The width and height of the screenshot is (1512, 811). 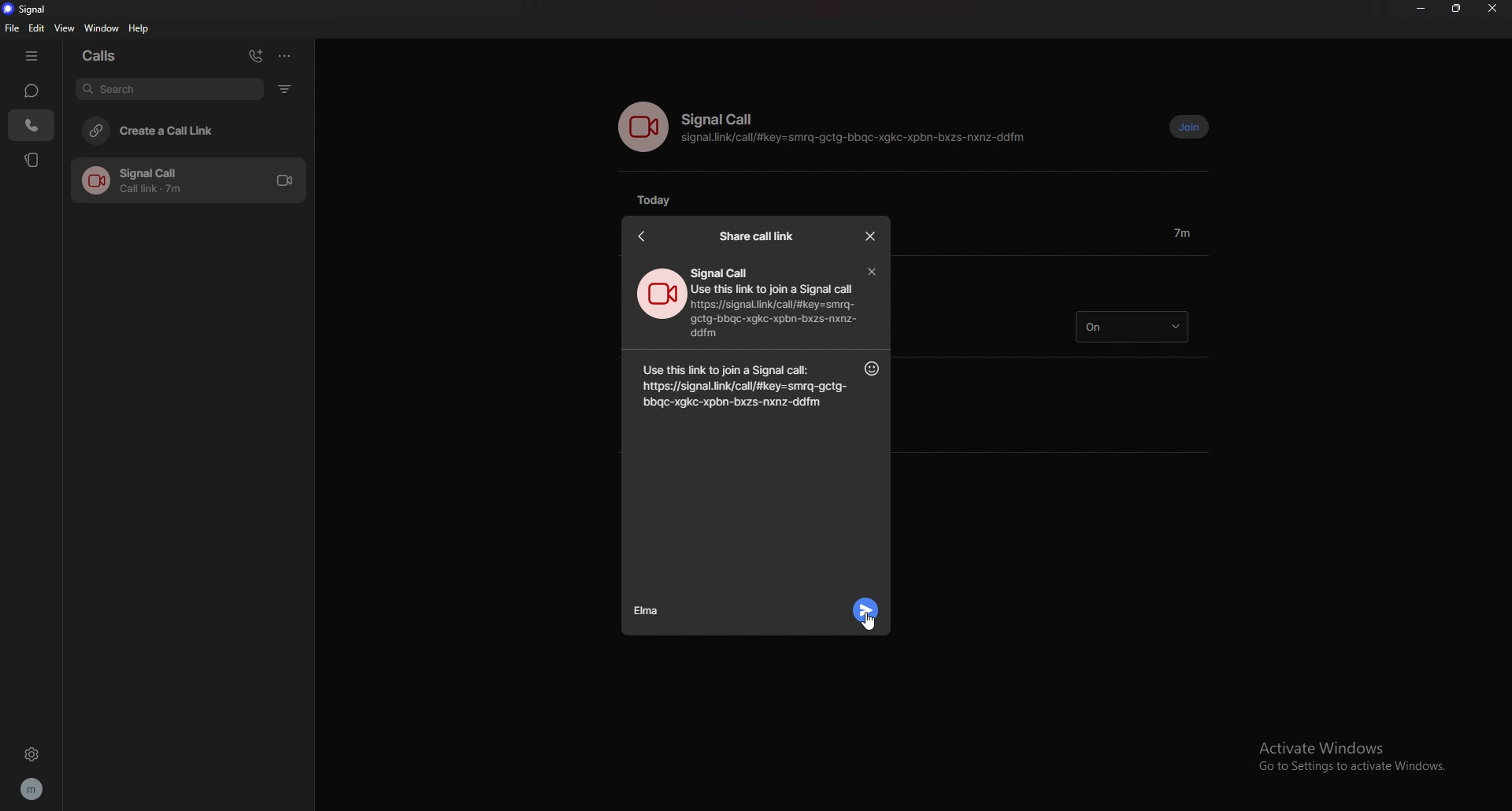 I want to click on profile, so click(x=31, y=790).